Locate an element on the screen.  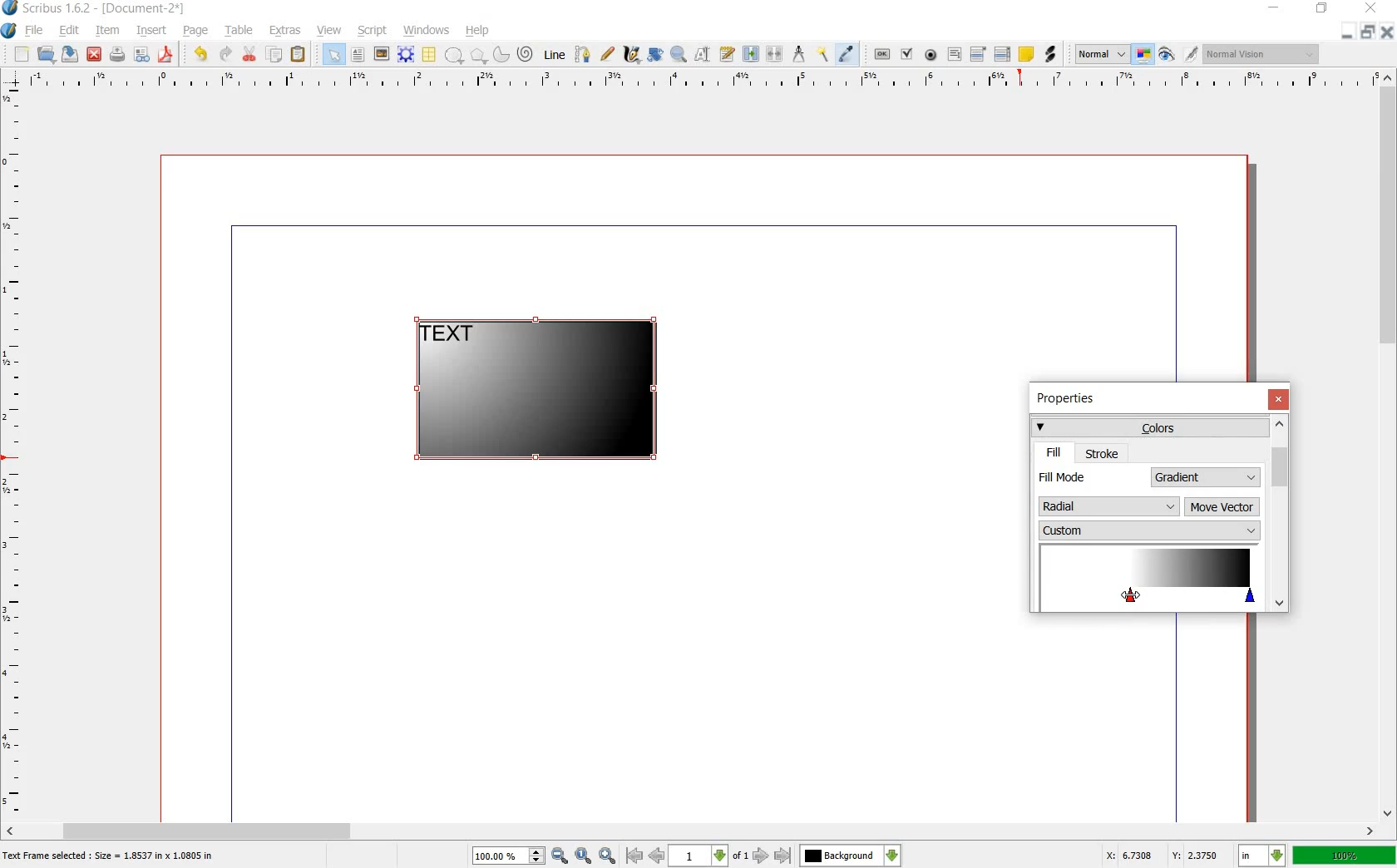
script is located at coordinates (373, 31).